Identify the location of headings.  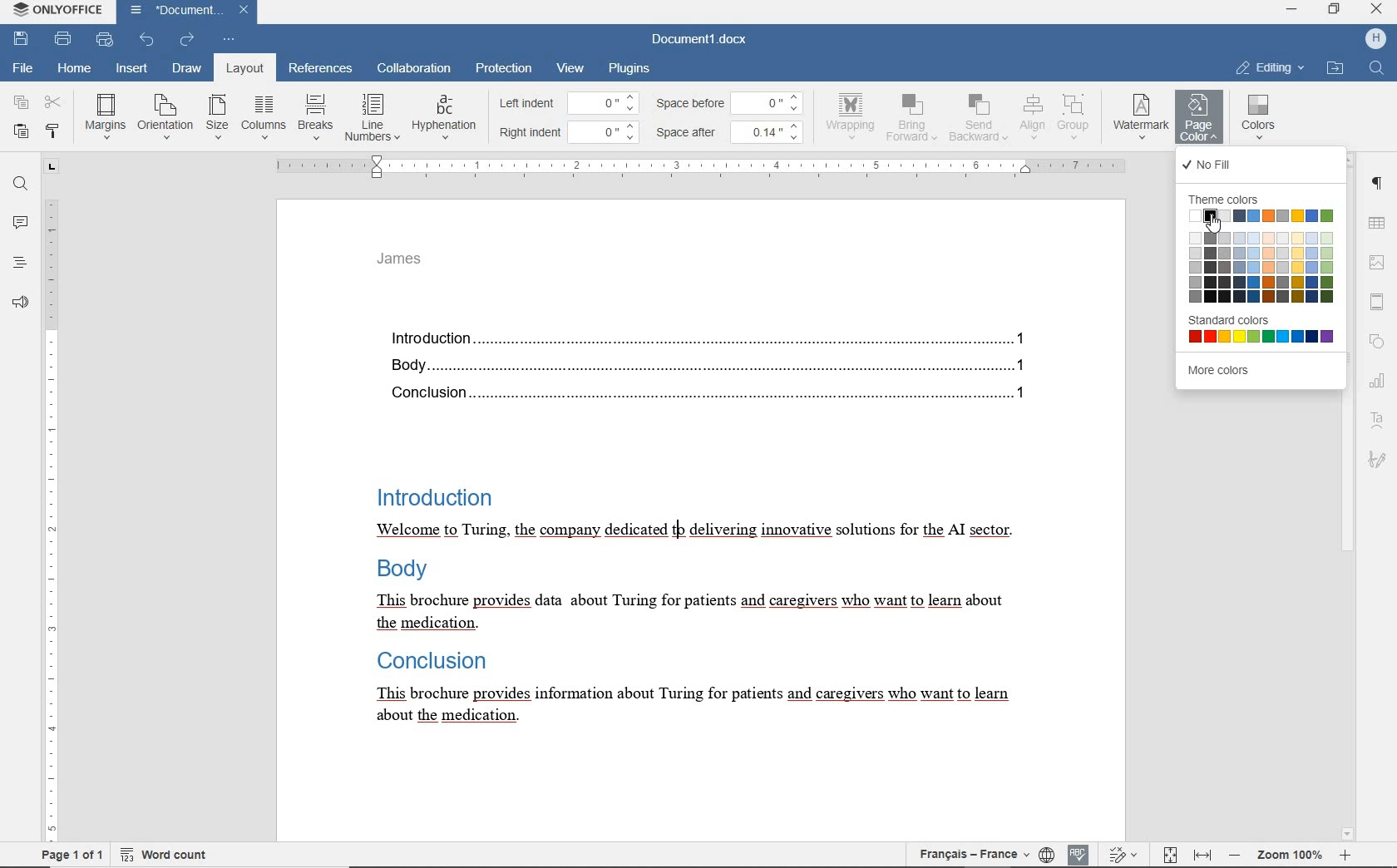
(17, 263).